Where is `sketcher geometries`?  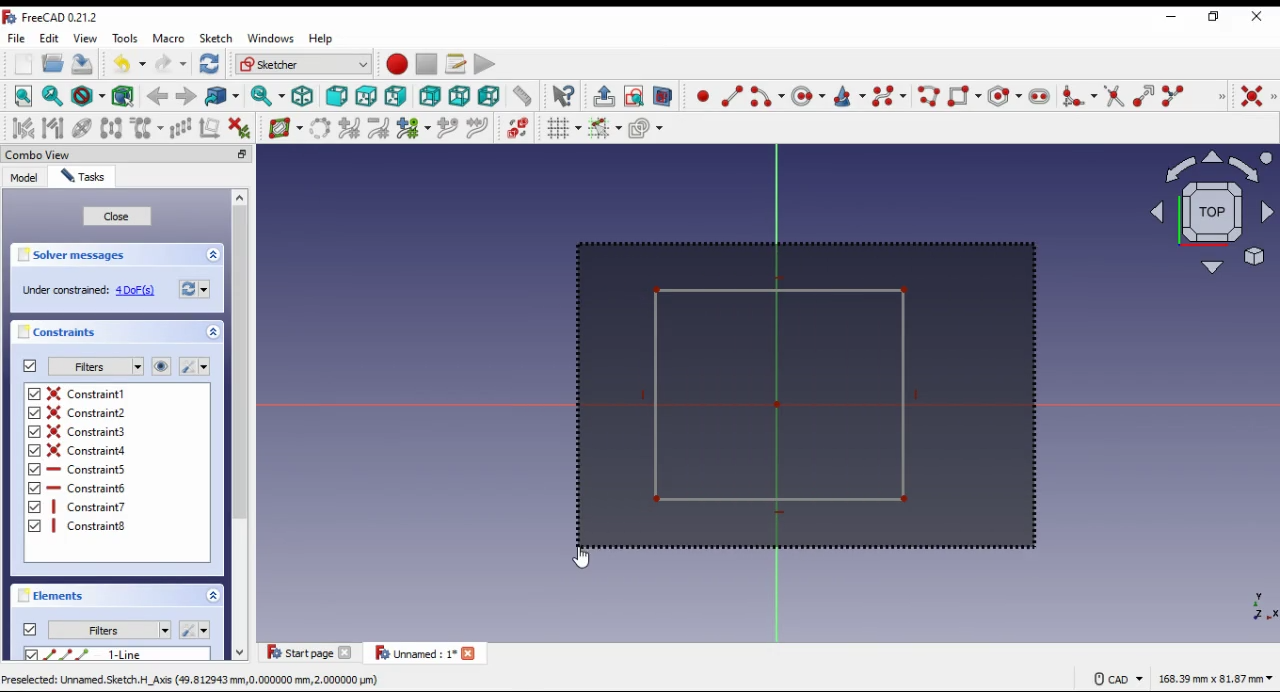 sketcher geometries is located at coordinates (1221, 95).